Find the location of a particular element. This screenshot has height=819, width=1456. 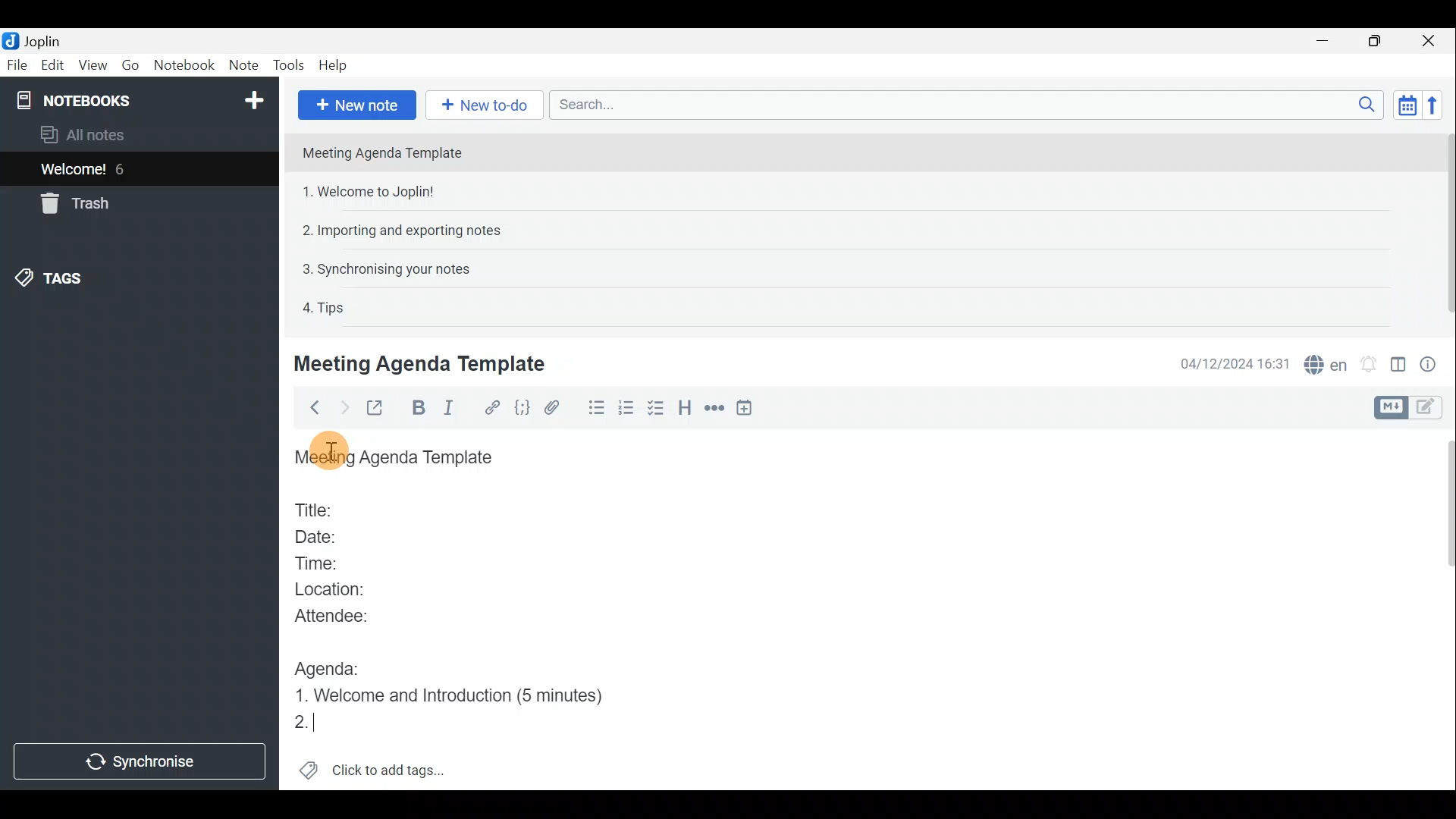

Checkbox is located at coordinates (653, 409).